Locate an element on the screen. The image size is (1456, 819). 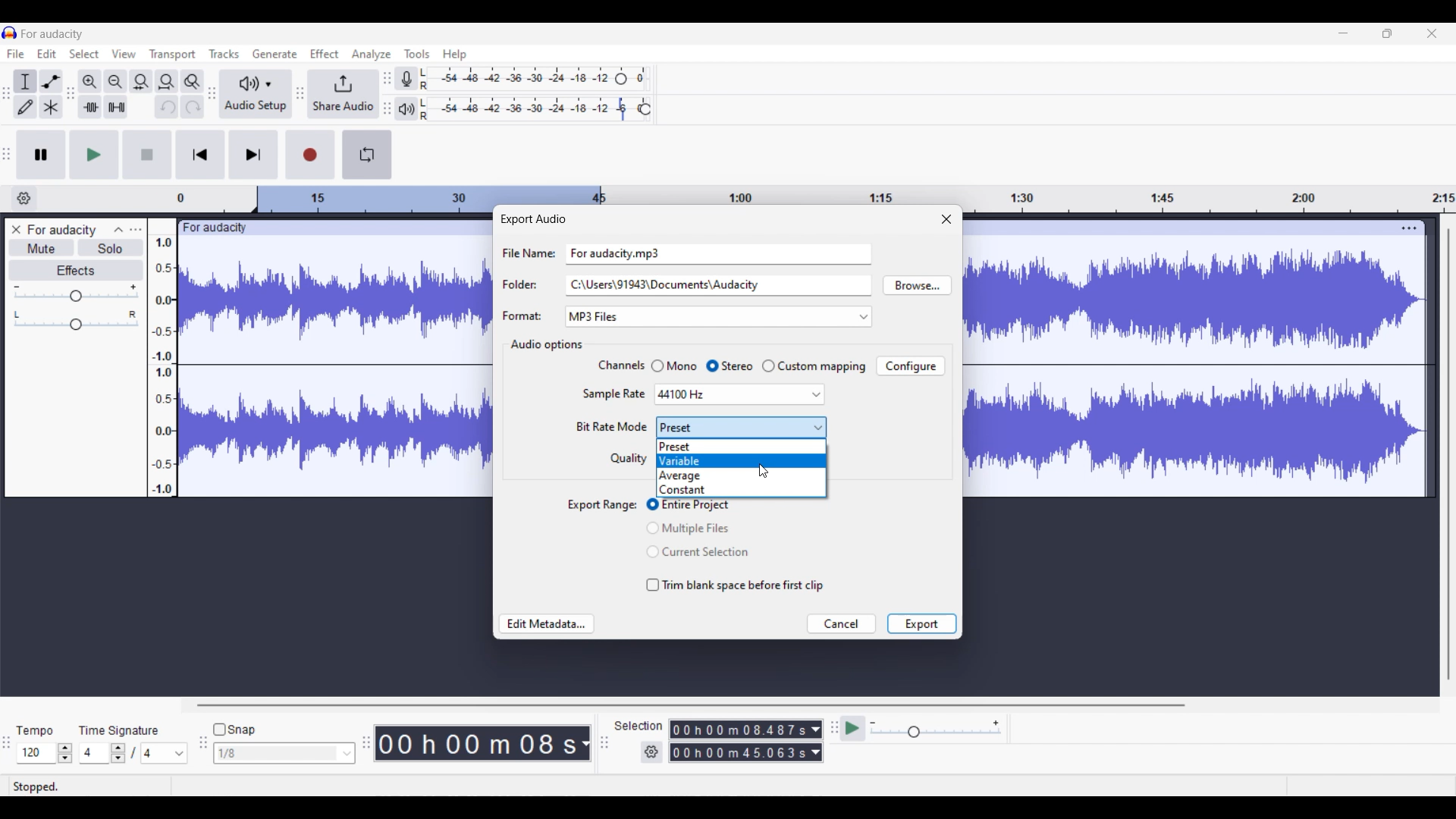
Constant is located at coordinates (741, 491).